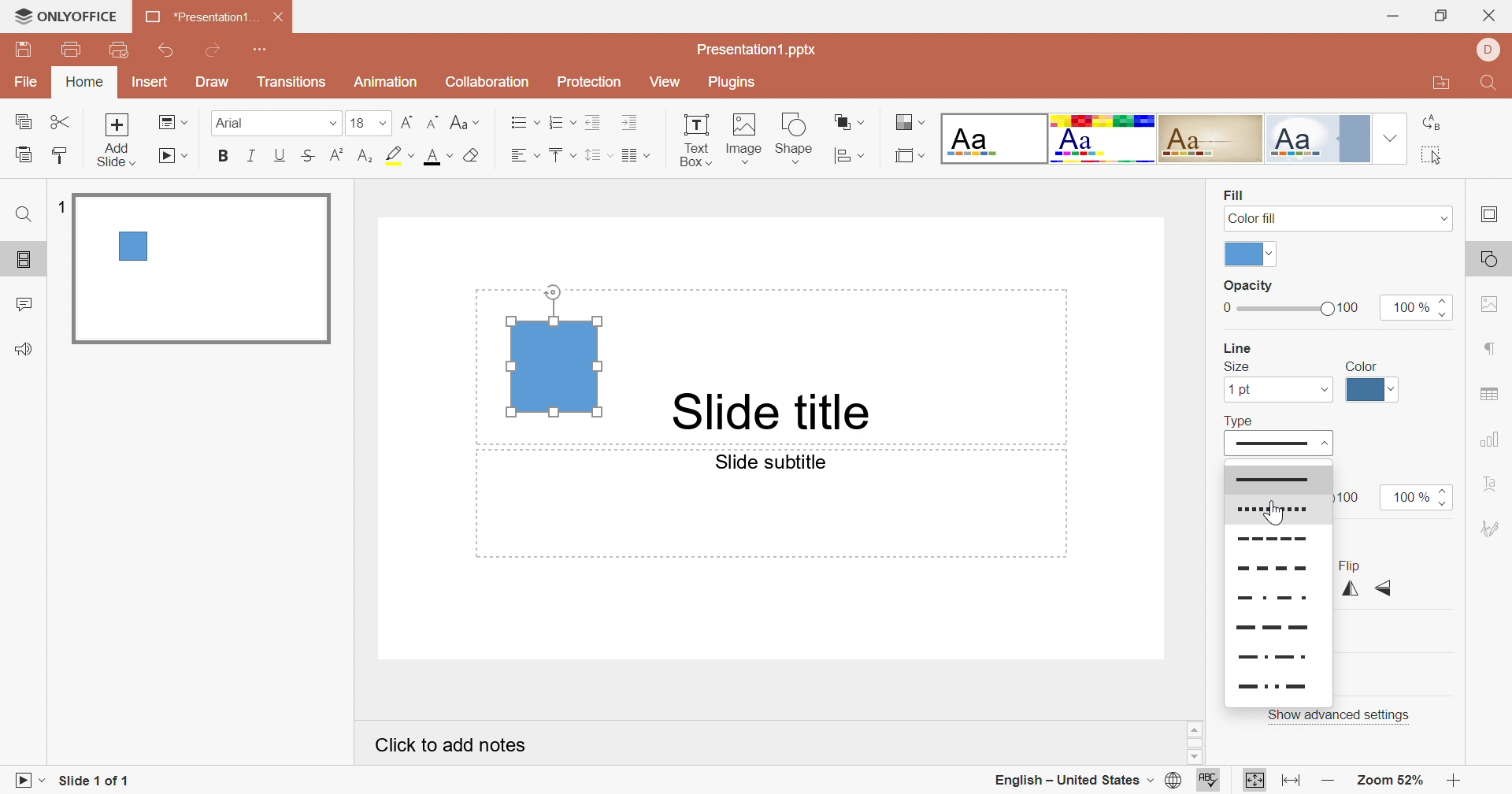 The height and width of the screenshot is (794, 1512). What do you see at coordinates (205, 270) in the screenshot?
I see `Slide 1` at bounding box center [205, 270].